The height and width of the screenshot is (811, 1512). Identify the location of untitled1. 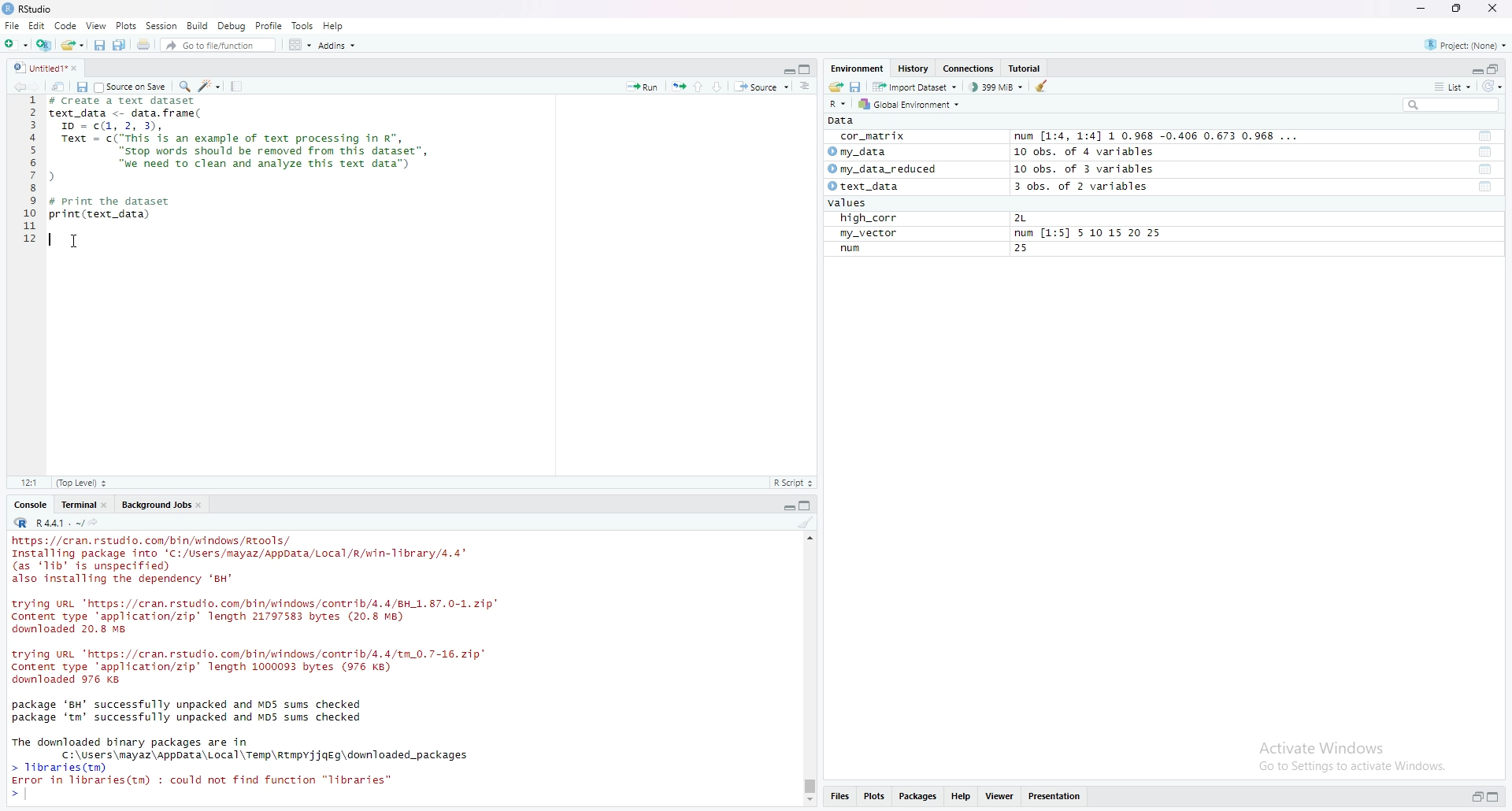
(48, 67).